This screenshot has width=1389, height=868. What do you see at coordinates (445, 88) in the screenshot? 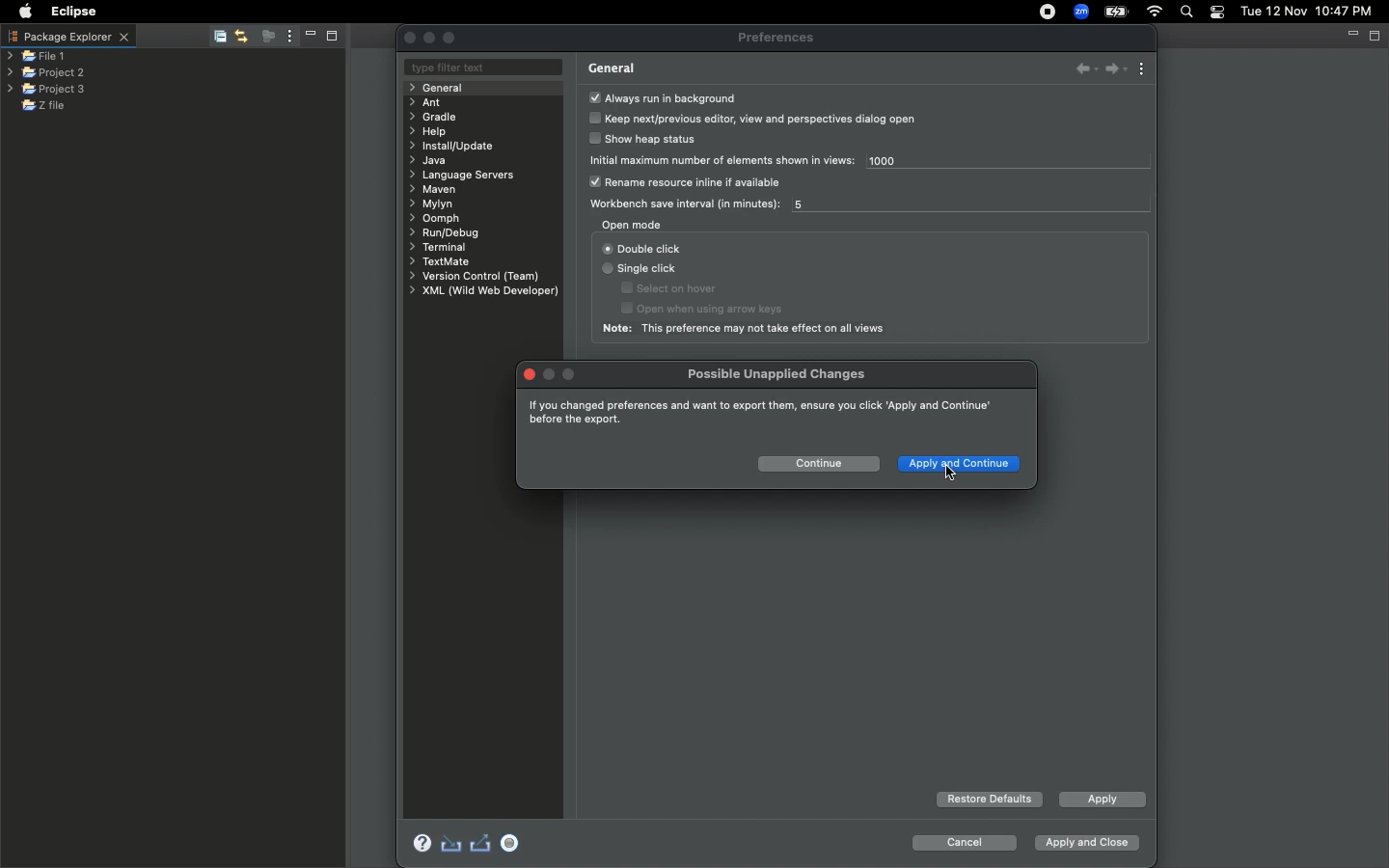
I see `General` at bounding box center [445, 88].